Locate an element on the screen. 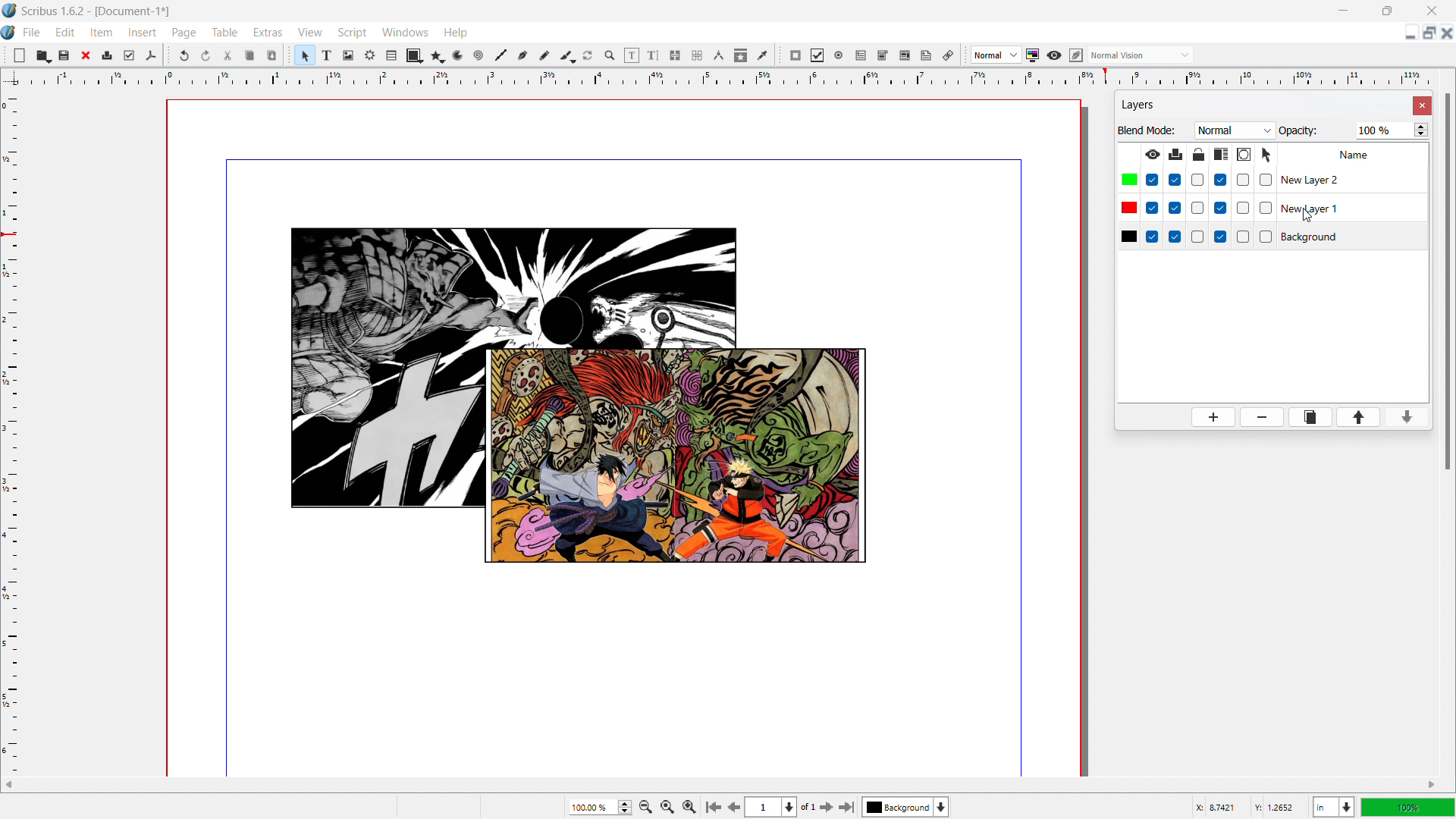 Image resolution: width=1456 pixels, height=819 pixels. delete layer is located at coordinates (1262, 418).